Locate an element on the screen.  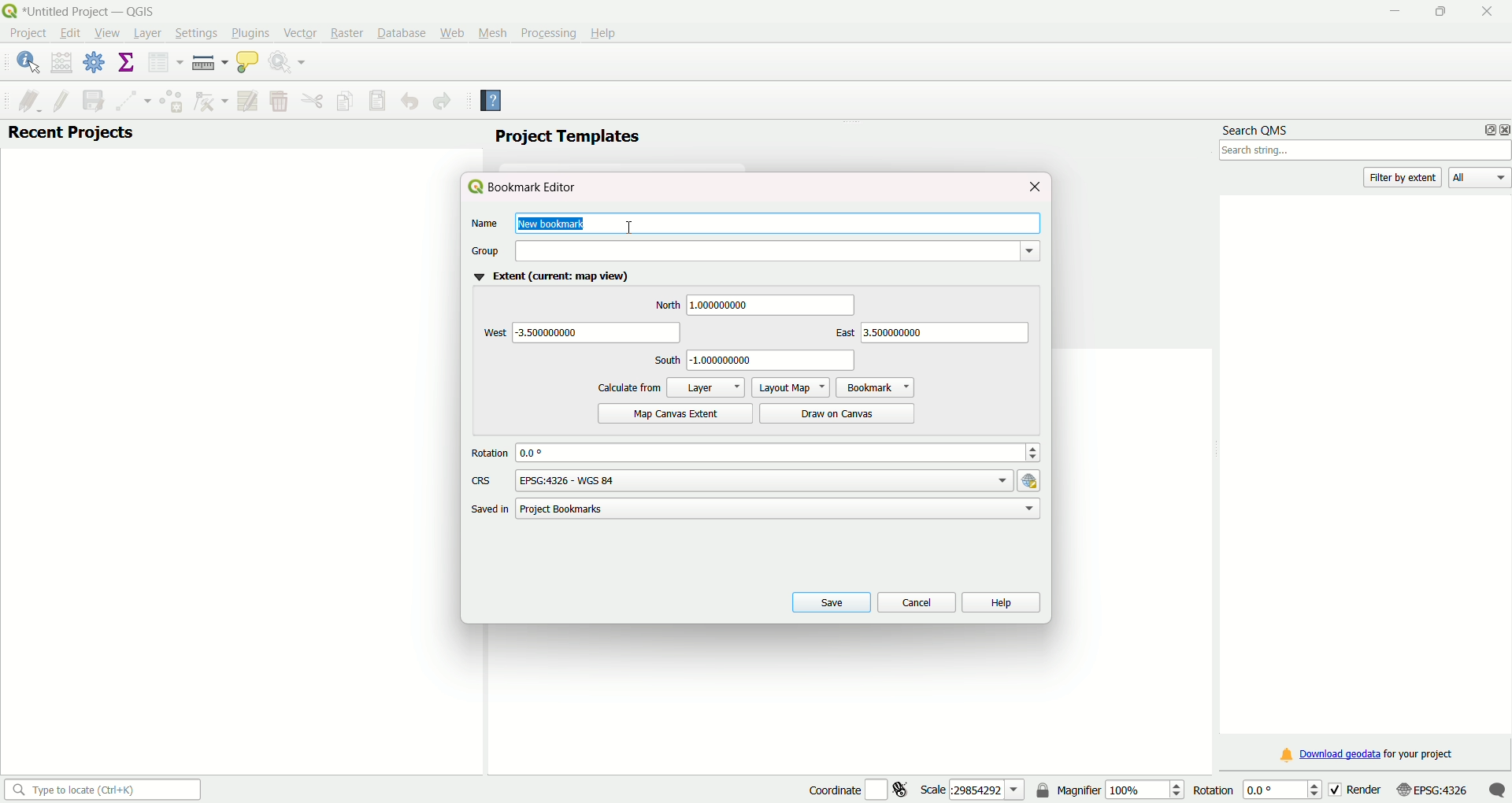
east is located at coordinates (840, 334).